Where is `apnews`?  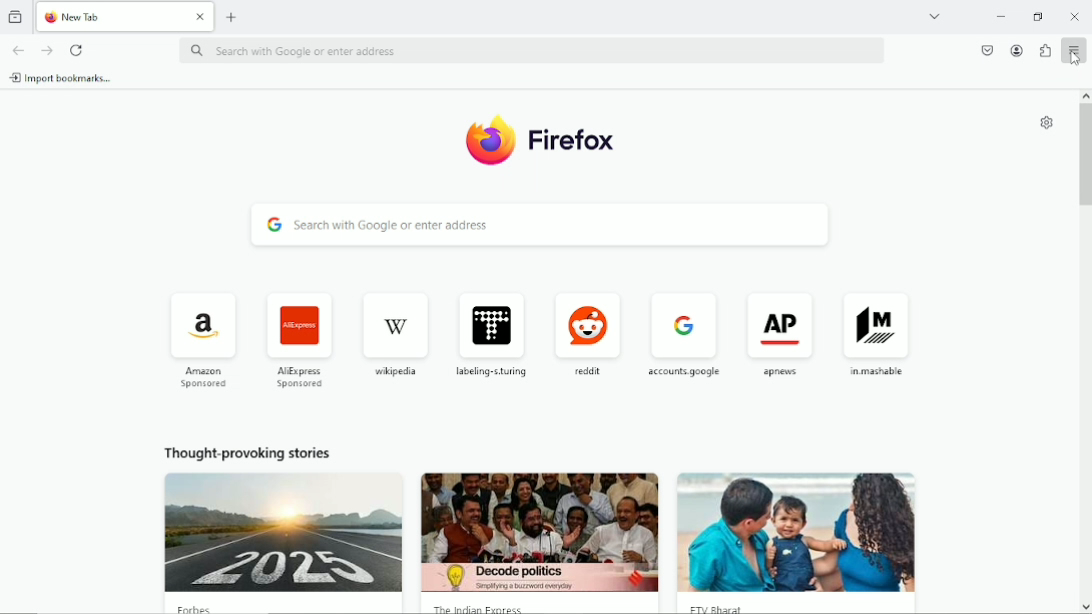 apnews is located at coordinates (782, 334).